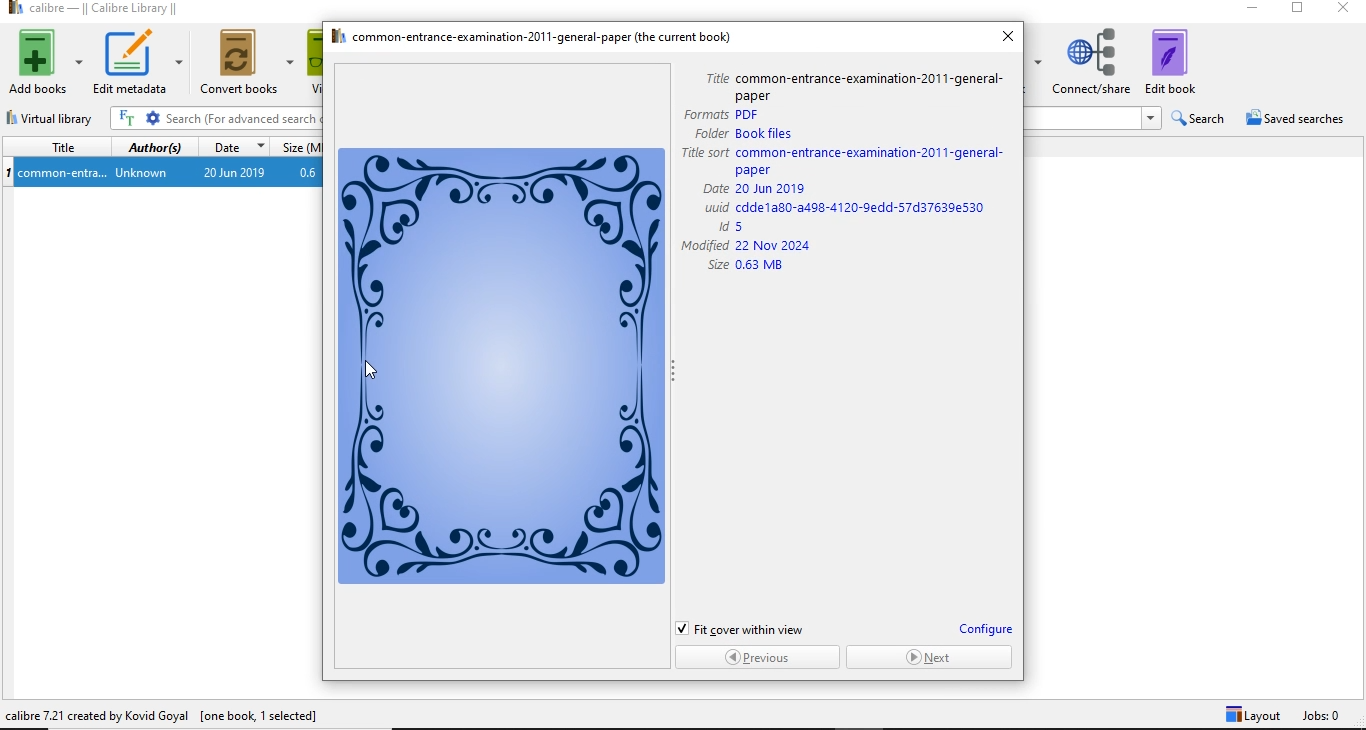 Image resolution: width=1366 pixels, height=730 pixels. I want to click on virtual library, so click(58, 119).